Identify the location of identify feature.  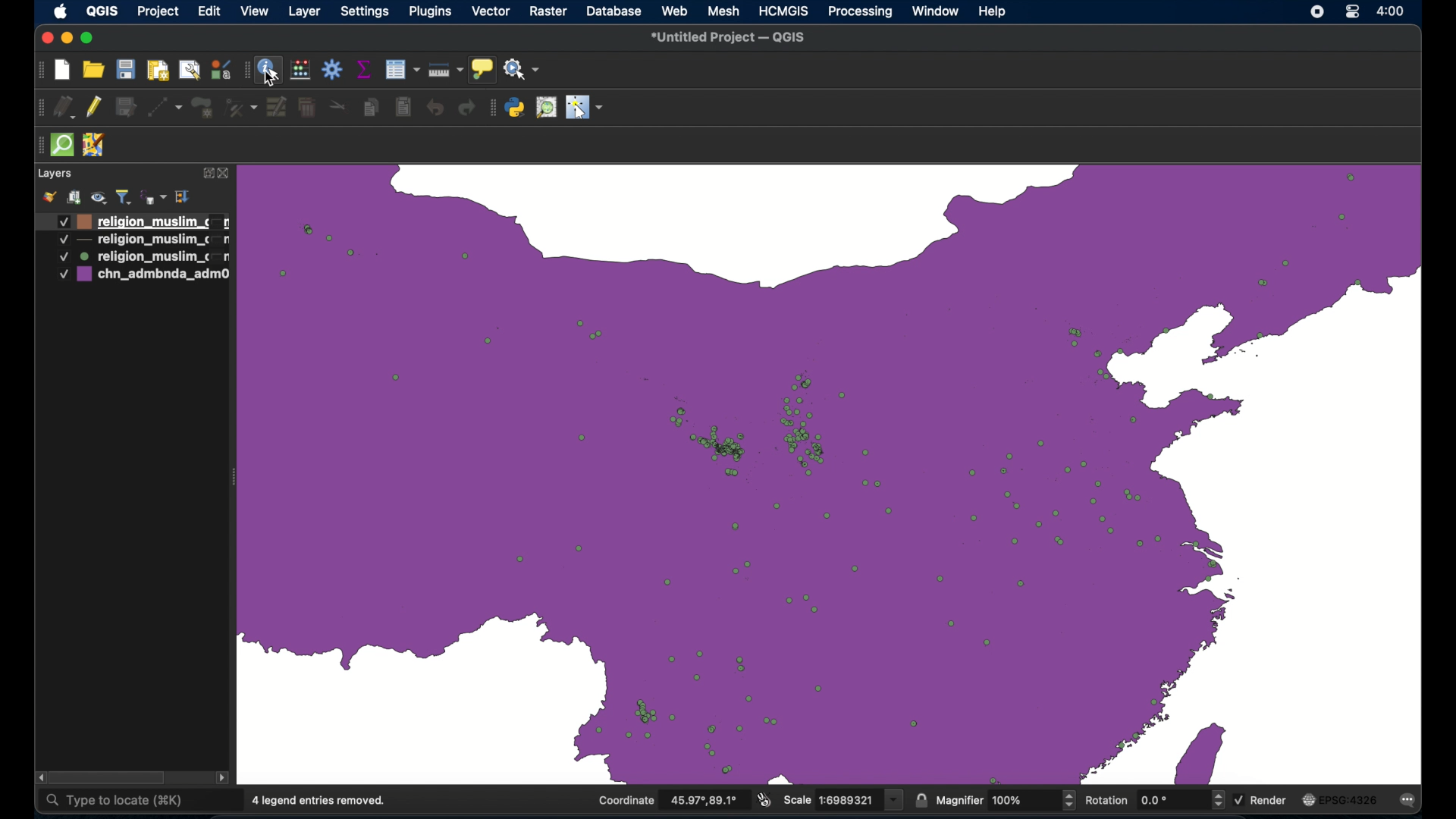
(269, 72).